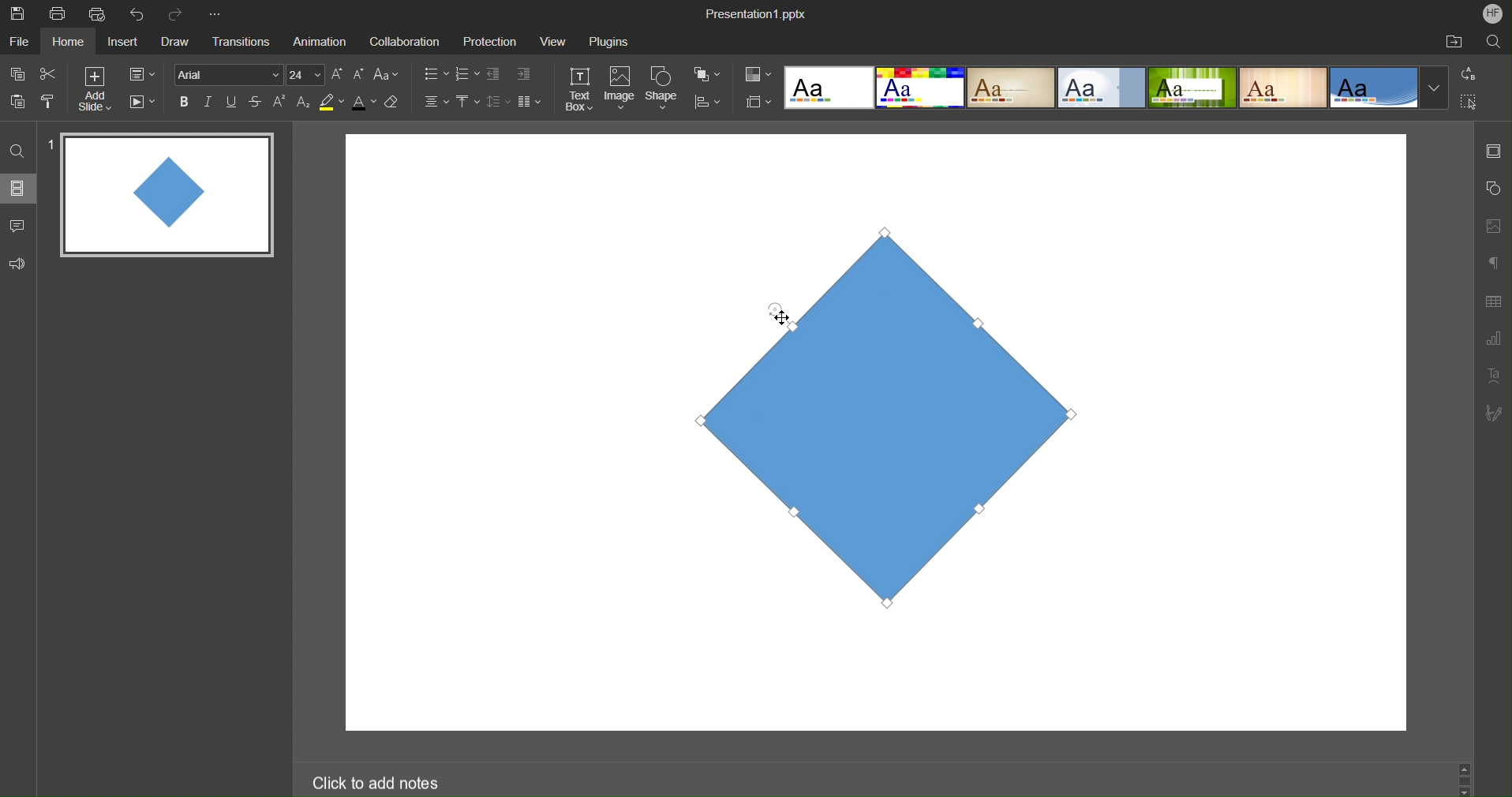 Image resolution: width=1512 pixels, height=797 pixels. Describe the element at coordinates (663, 88) in the screenshot. I see `Shape` at that location.